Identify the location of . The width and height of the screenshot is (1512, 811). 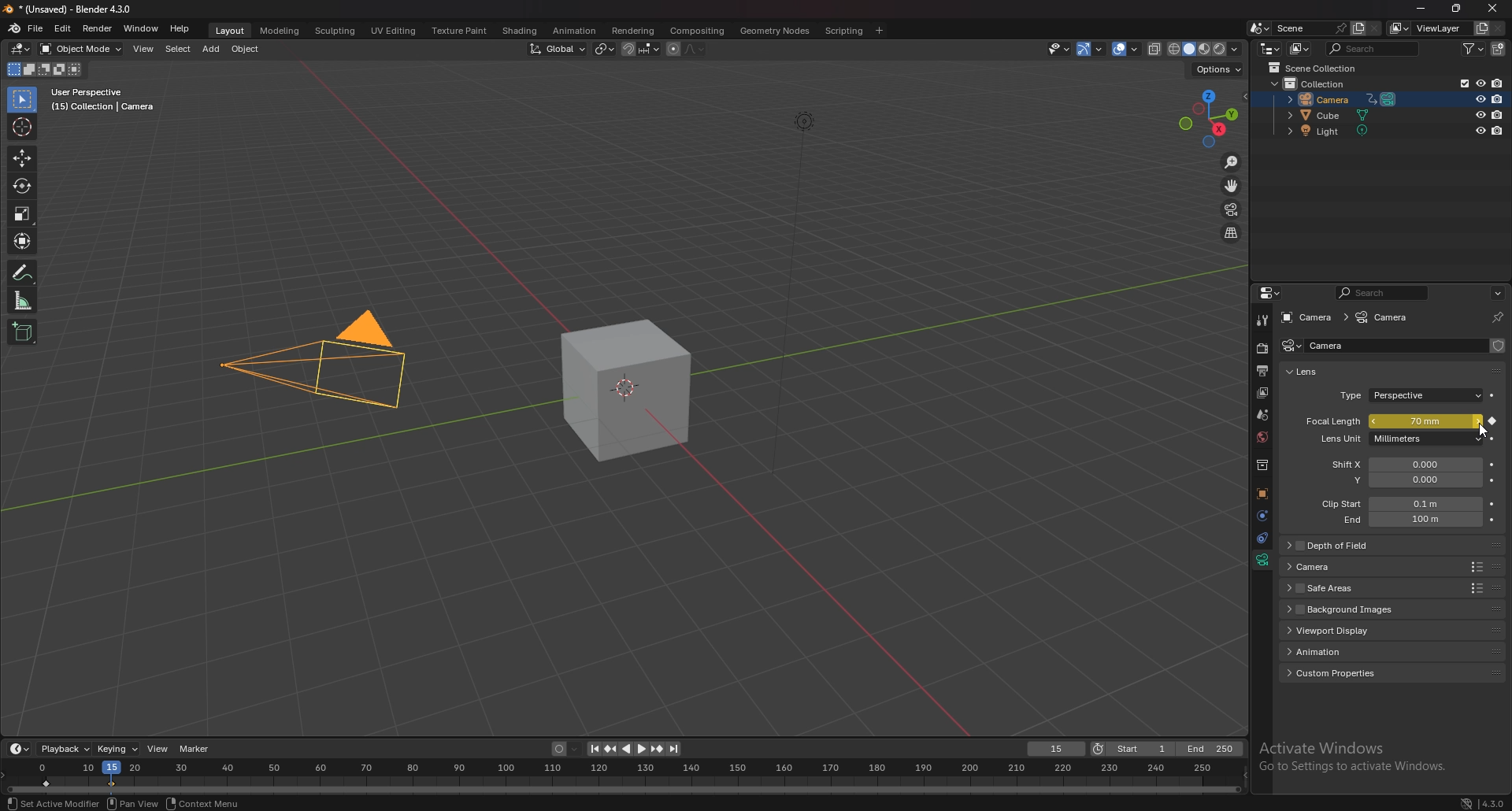
(1482, 801).